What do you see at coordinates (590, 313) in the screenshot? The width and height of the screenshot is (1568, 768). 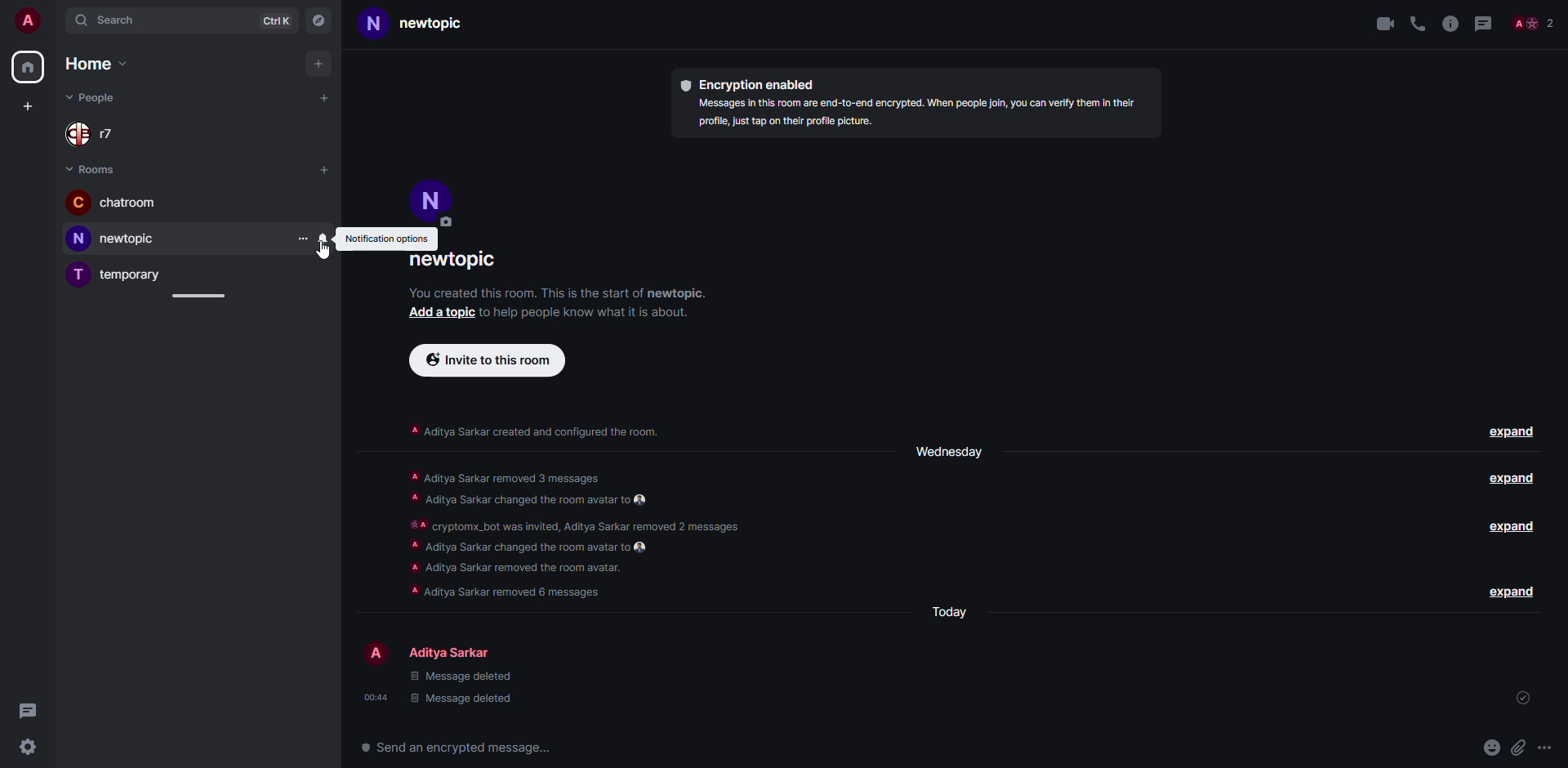 I see `info` at bounding box center [590, 313].